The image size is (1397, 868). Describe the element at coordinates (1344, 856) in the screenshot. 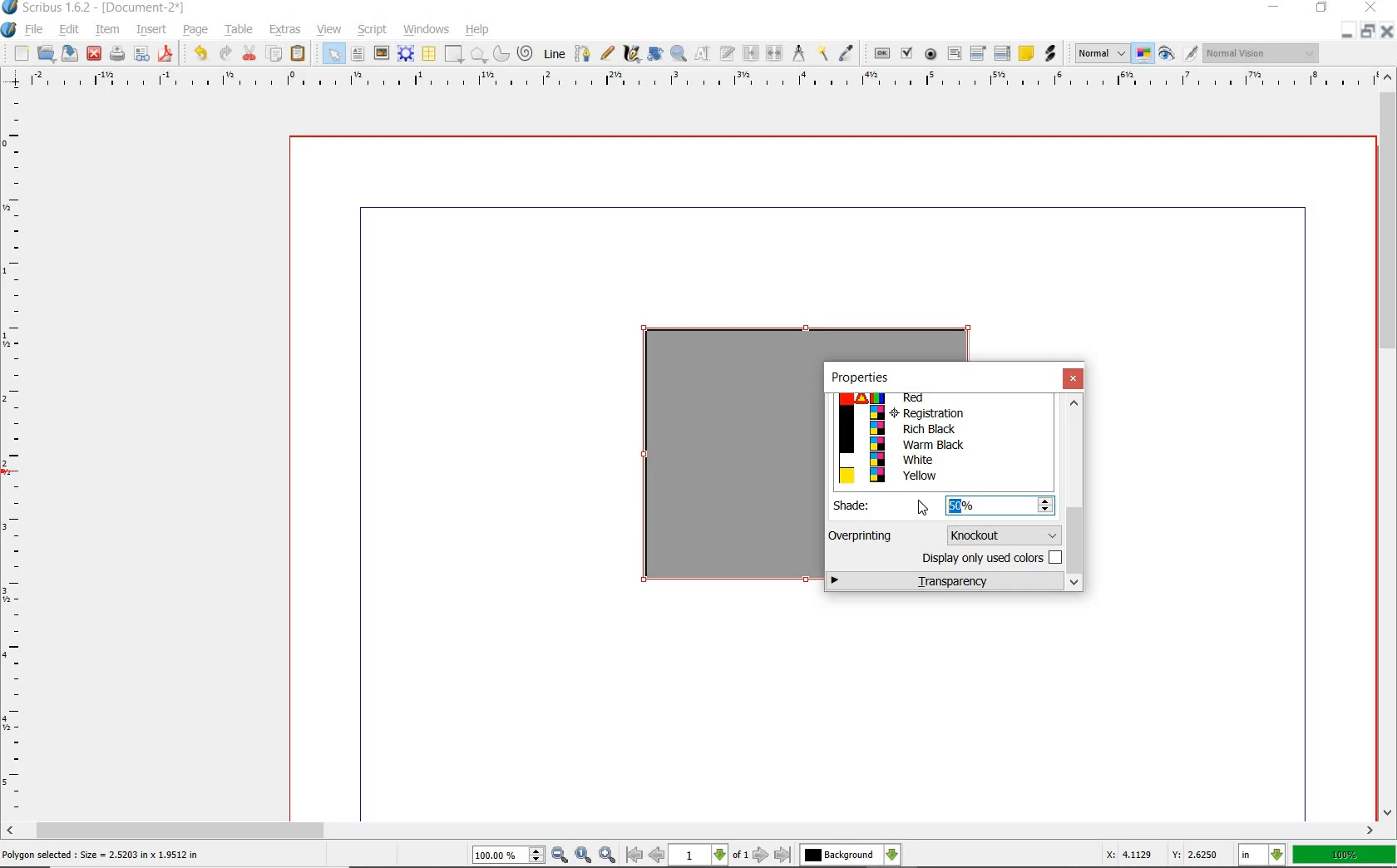

I see `100%` at that location.